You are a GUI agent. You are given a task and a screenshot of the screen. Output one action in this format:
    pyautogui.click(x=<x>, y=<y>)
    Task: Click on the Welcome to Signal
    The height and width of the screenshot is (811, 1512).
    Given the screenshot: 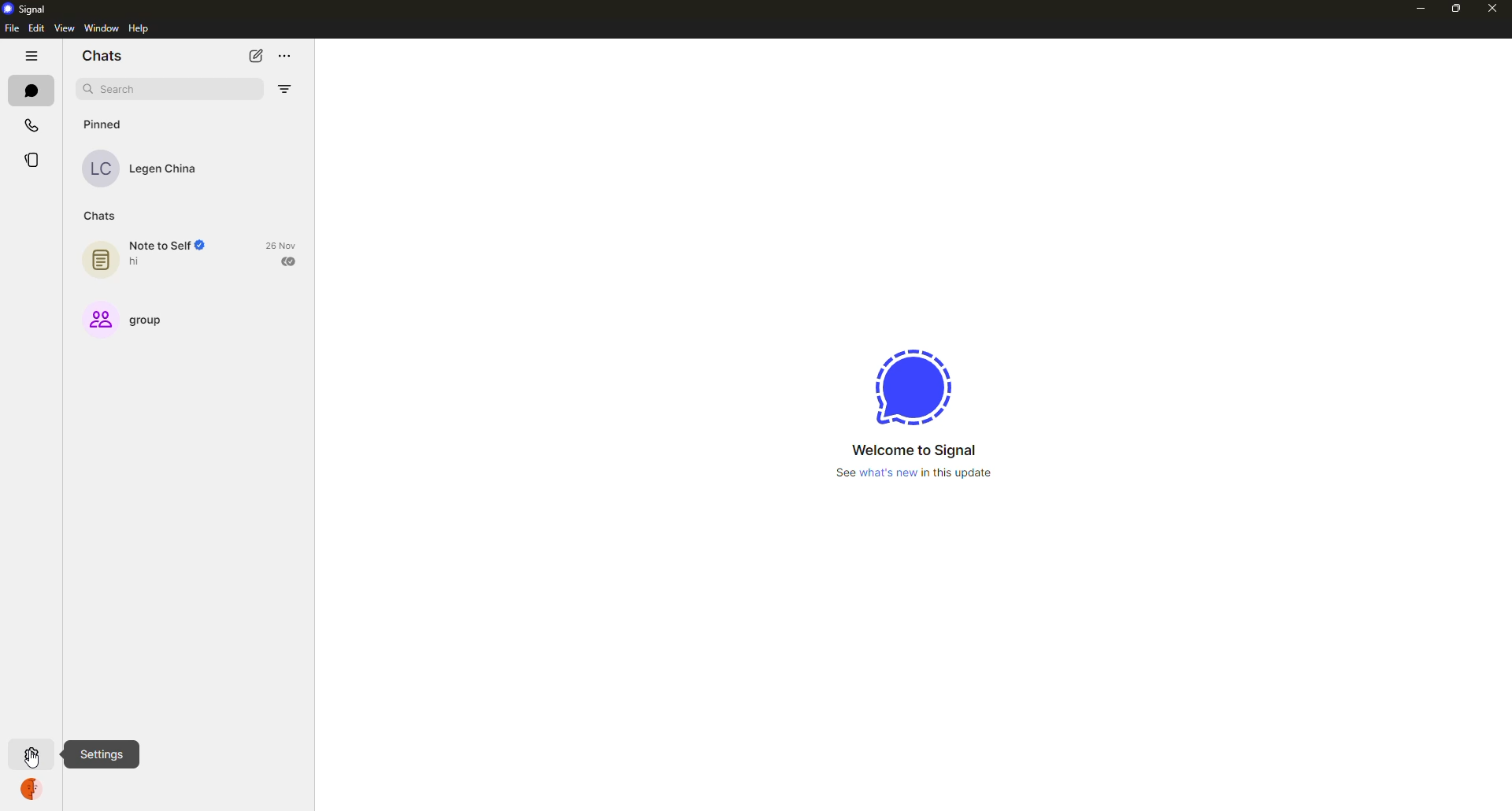 What is the action you would take?
    pyautogui.click(x=907, y=450)
    